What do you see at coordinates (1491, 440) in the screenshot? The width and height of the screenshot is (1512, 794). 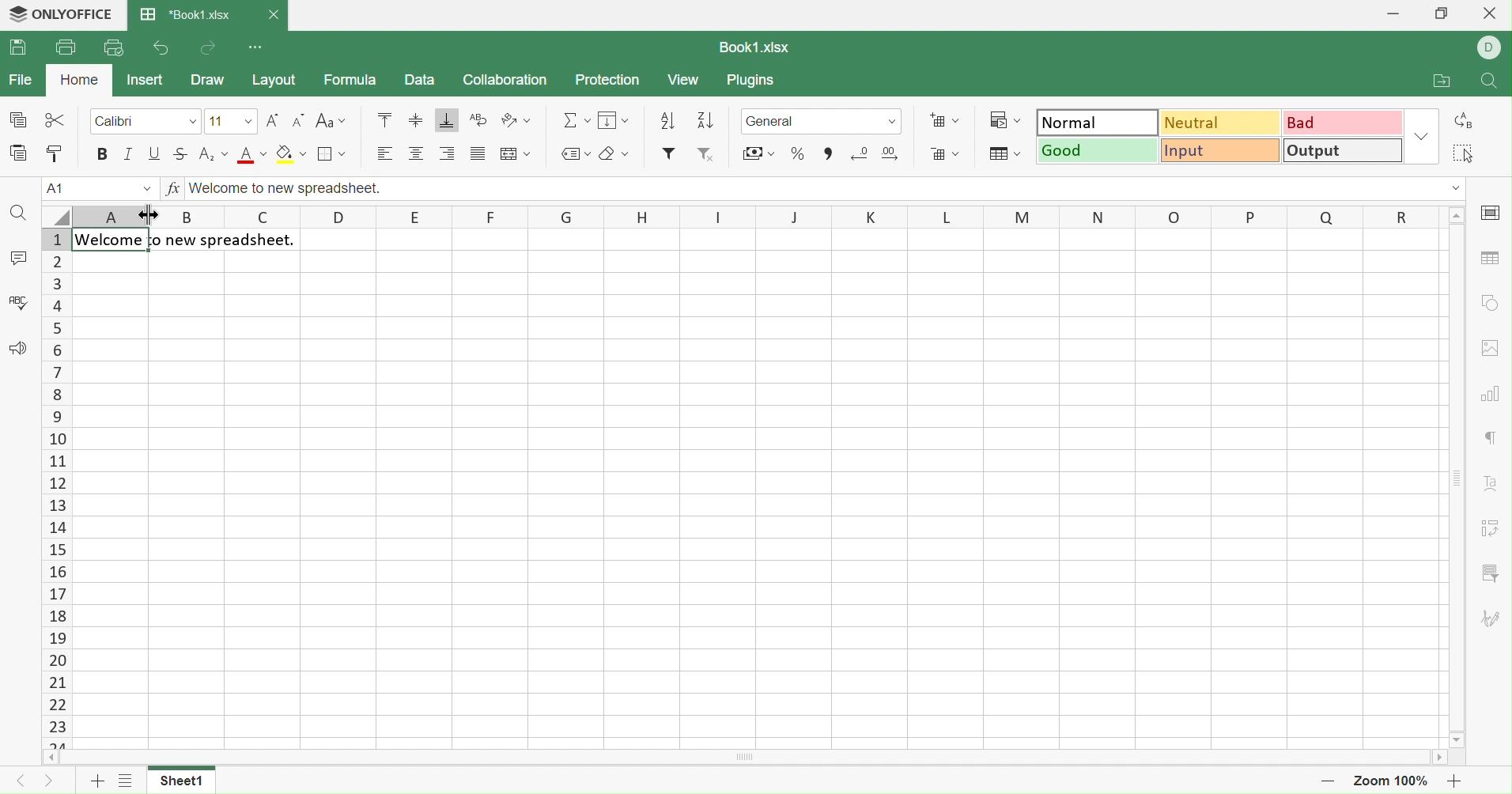 I see `Paragraph settings` at bounding box center [1491, 440].